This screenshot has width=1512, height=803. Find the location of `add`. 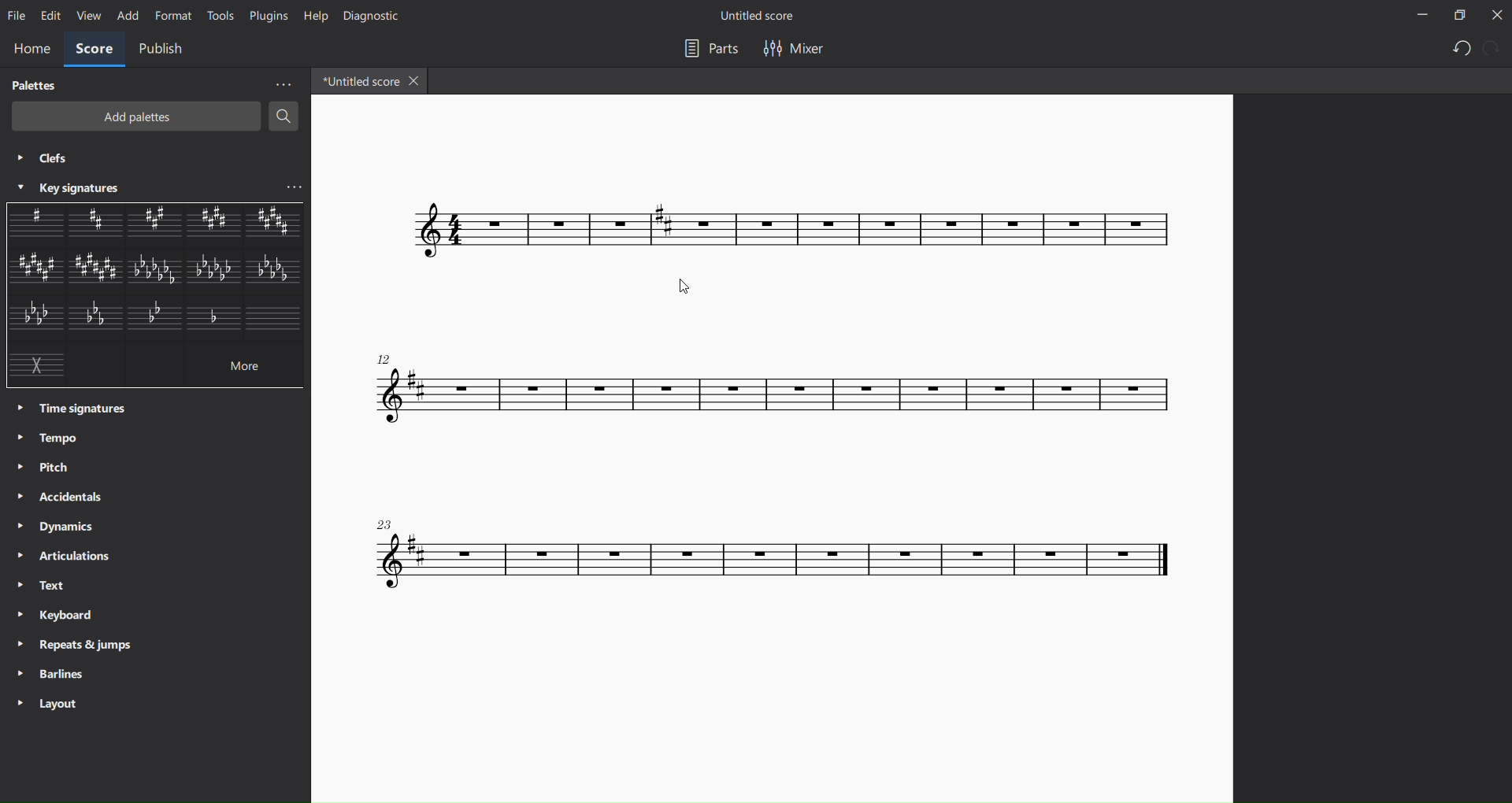

add is located at coordinates (127, 14).